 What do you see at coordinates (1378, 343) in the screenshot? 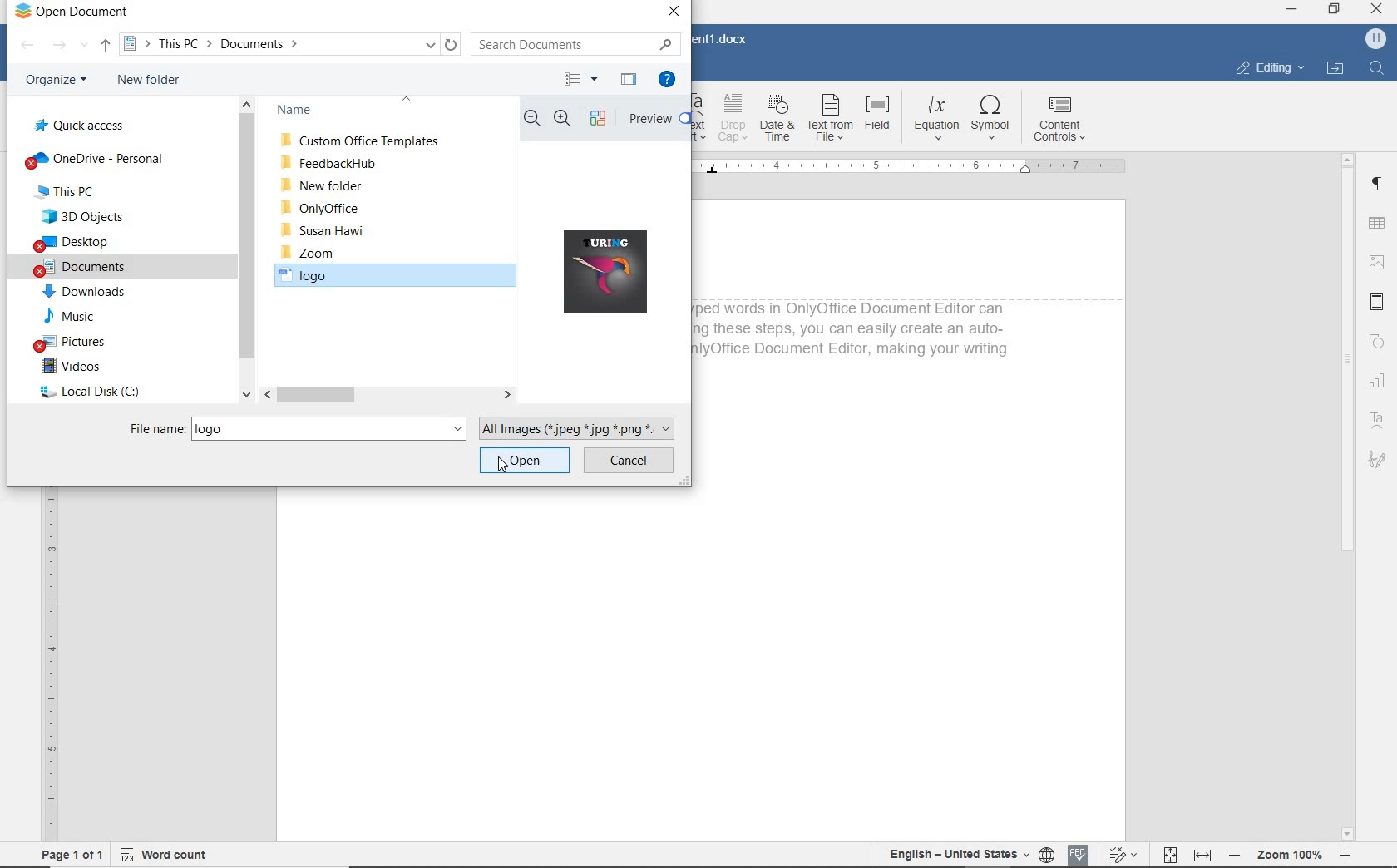
I see `SHAPE` at bounding box center [1378, 343].